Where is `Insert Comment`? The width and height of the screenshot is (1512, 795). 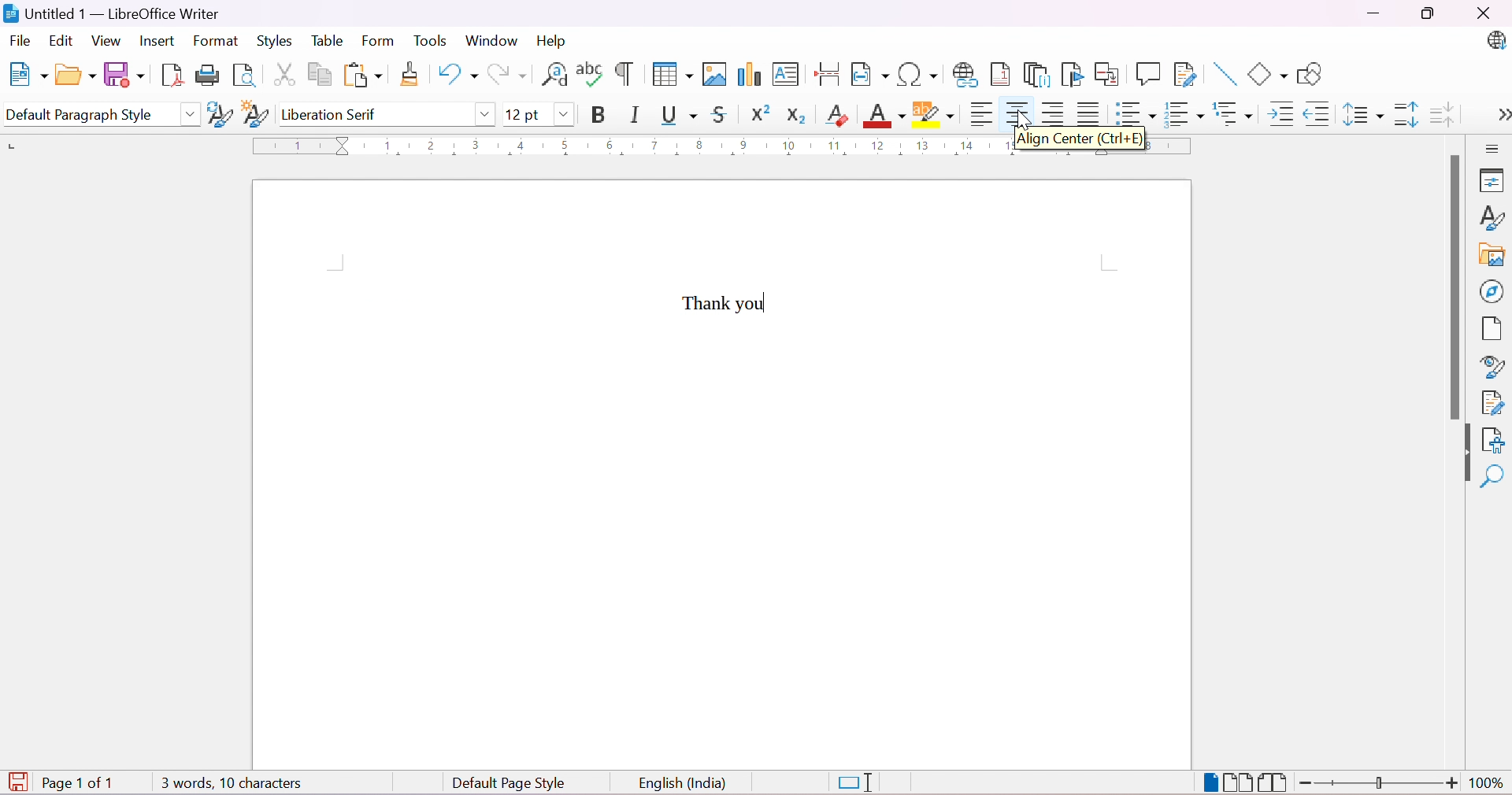 Insert Comment is located at coordinates (1147, 73).